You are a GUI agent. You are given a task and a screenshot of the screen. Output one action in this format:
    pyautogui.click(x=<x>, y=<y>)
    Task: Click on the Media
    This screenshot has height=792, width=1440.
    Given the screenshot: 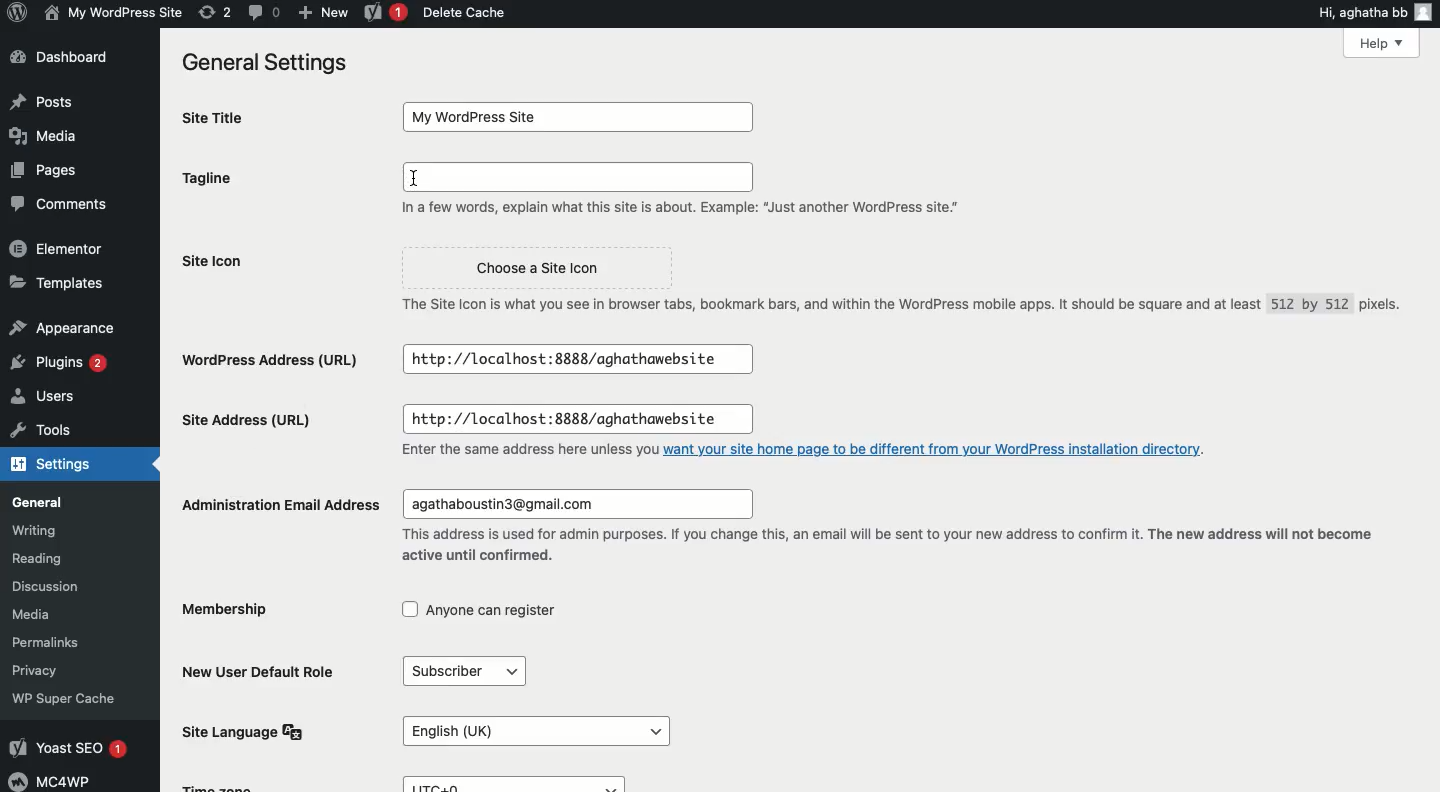 What is the action you would take?
    pyautogui.click(x=43, y=615)
    